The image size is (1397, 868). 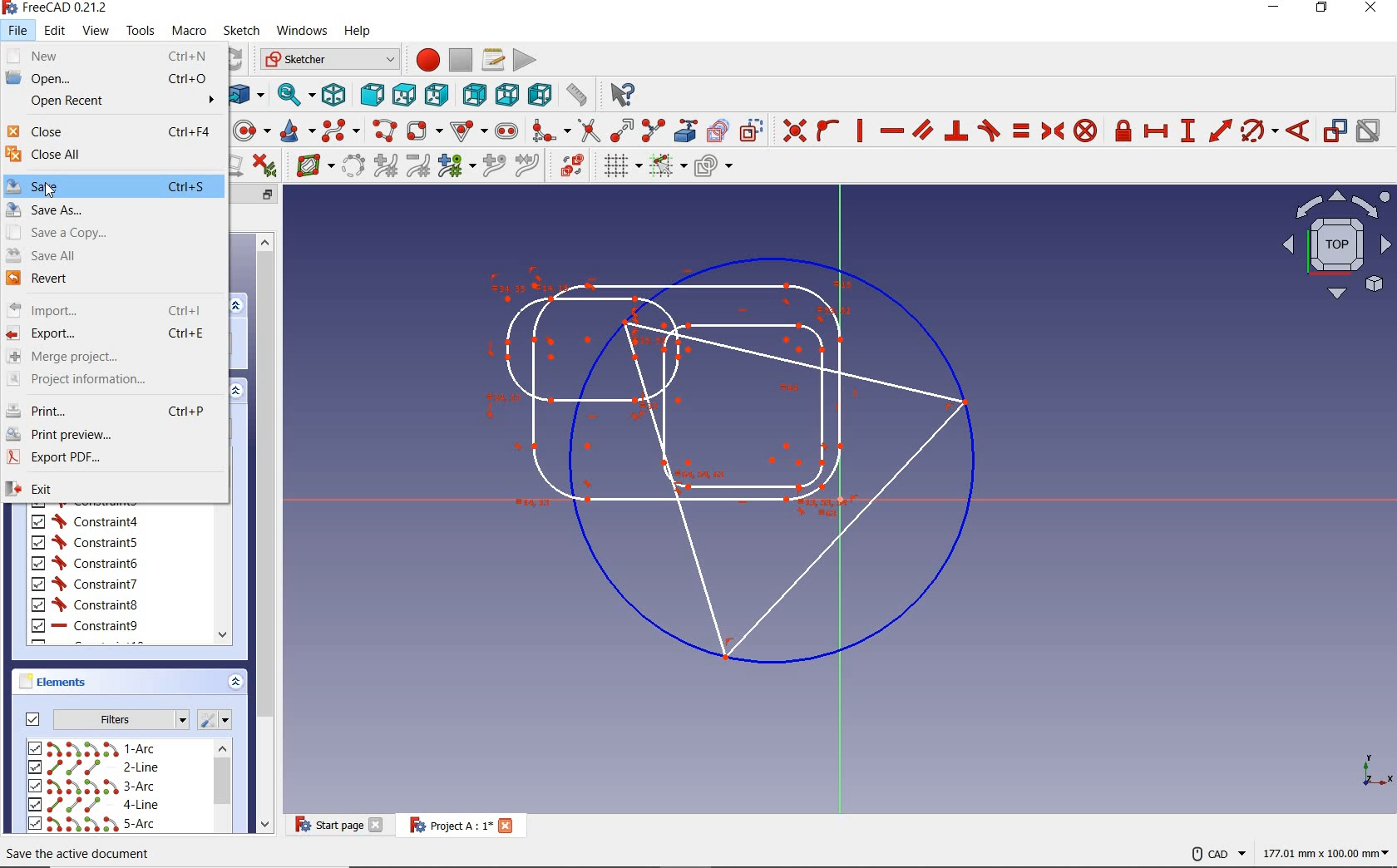 What do you see at coordinates (614, 168) in the screenshot?
I see `toggle grid` at bounding box center [614, 168].